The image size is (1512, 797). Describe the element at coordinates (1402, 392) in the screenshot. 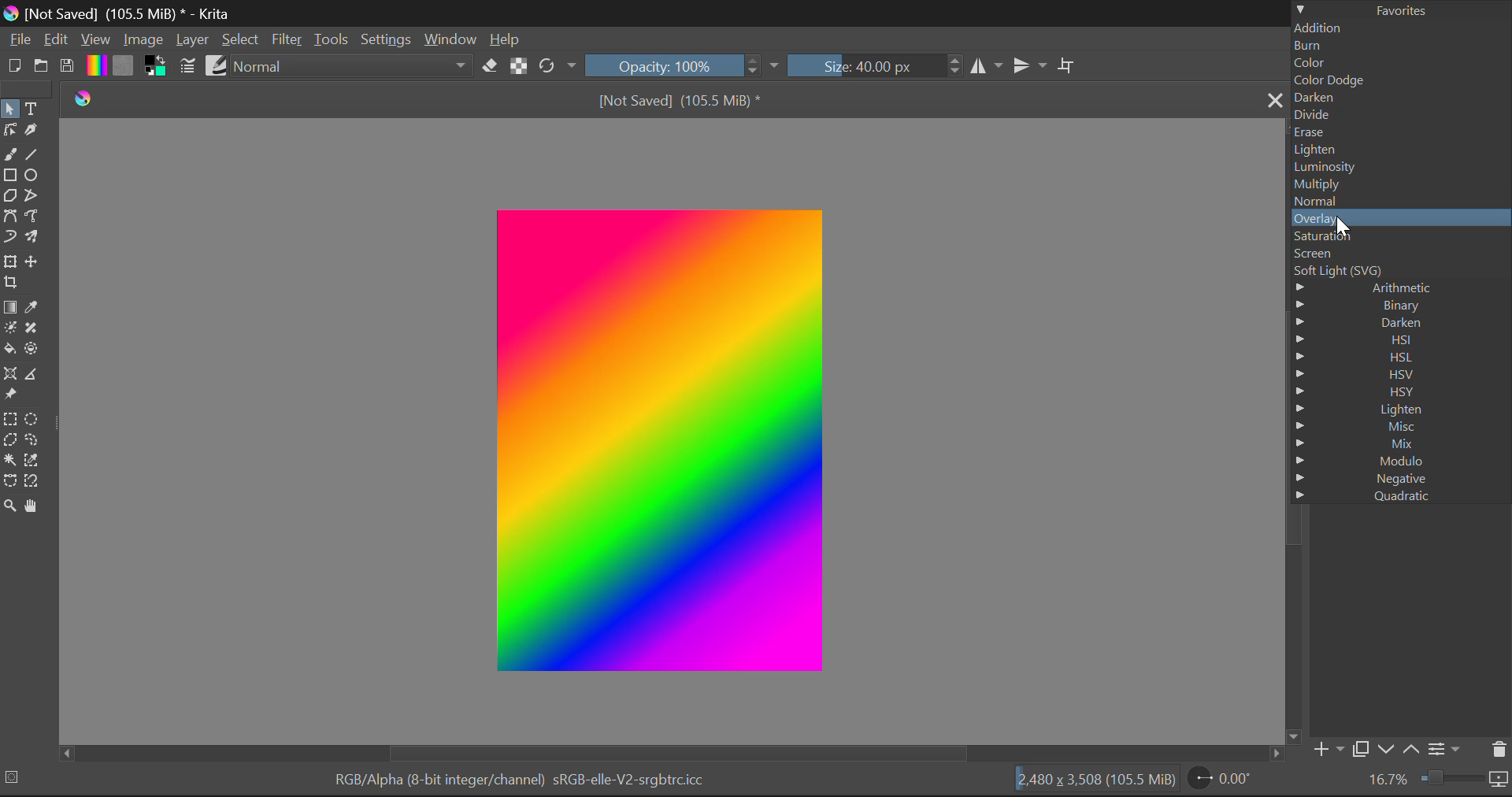

I see `HSY` at that location.